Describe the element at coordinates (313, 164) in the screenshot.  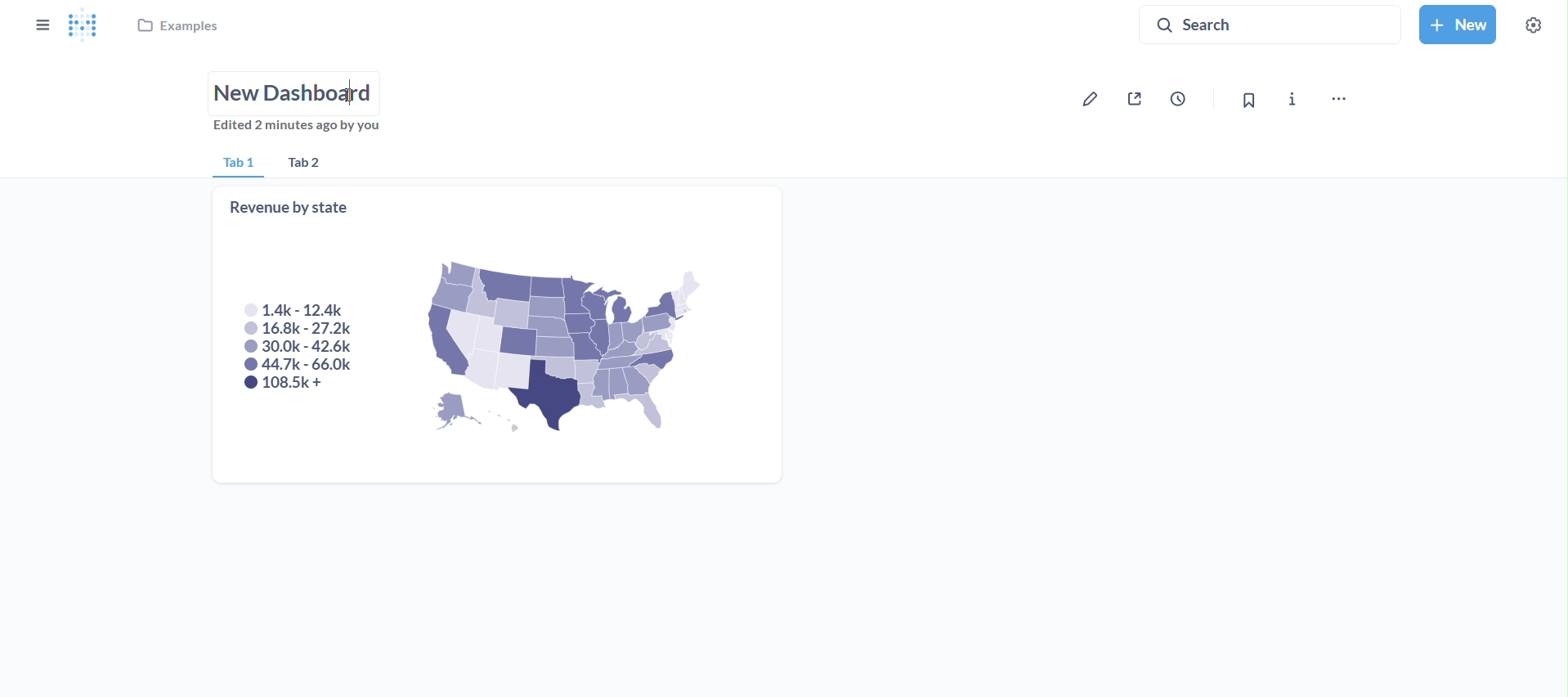
I see `tab 2` at that location.